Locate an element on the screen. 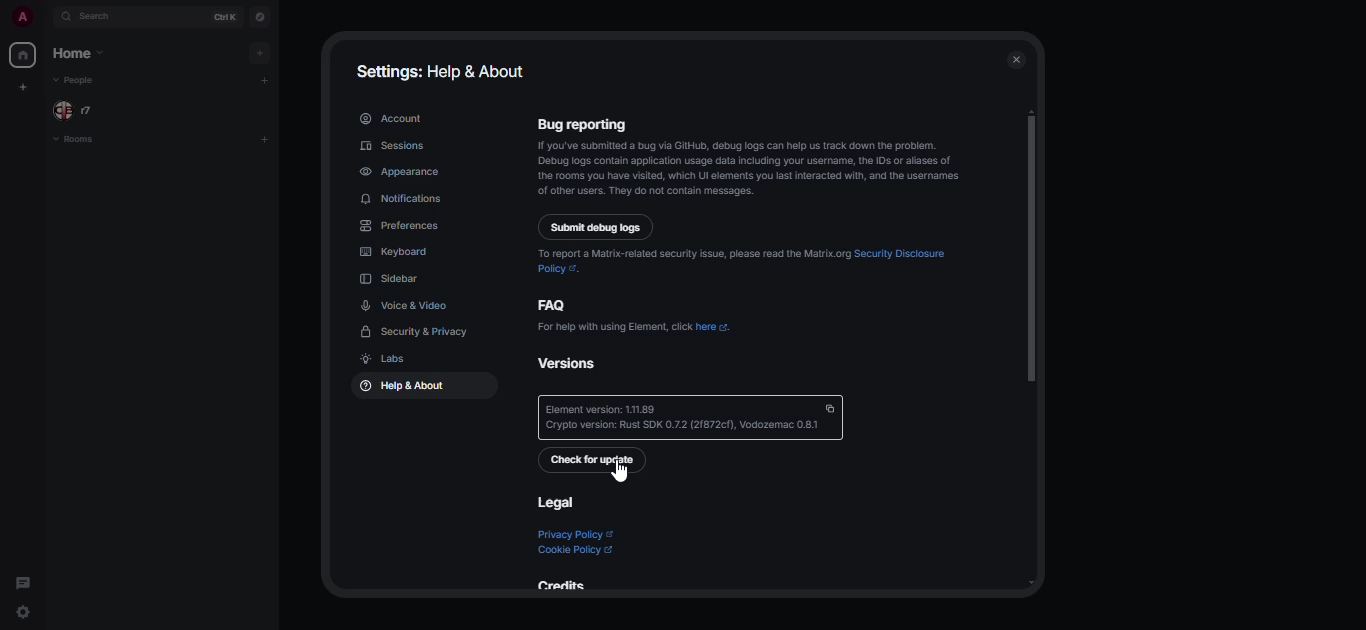 Image resolution: width=1366 pixels, height=630 pixels. labs is located at coordinates (381, 359).